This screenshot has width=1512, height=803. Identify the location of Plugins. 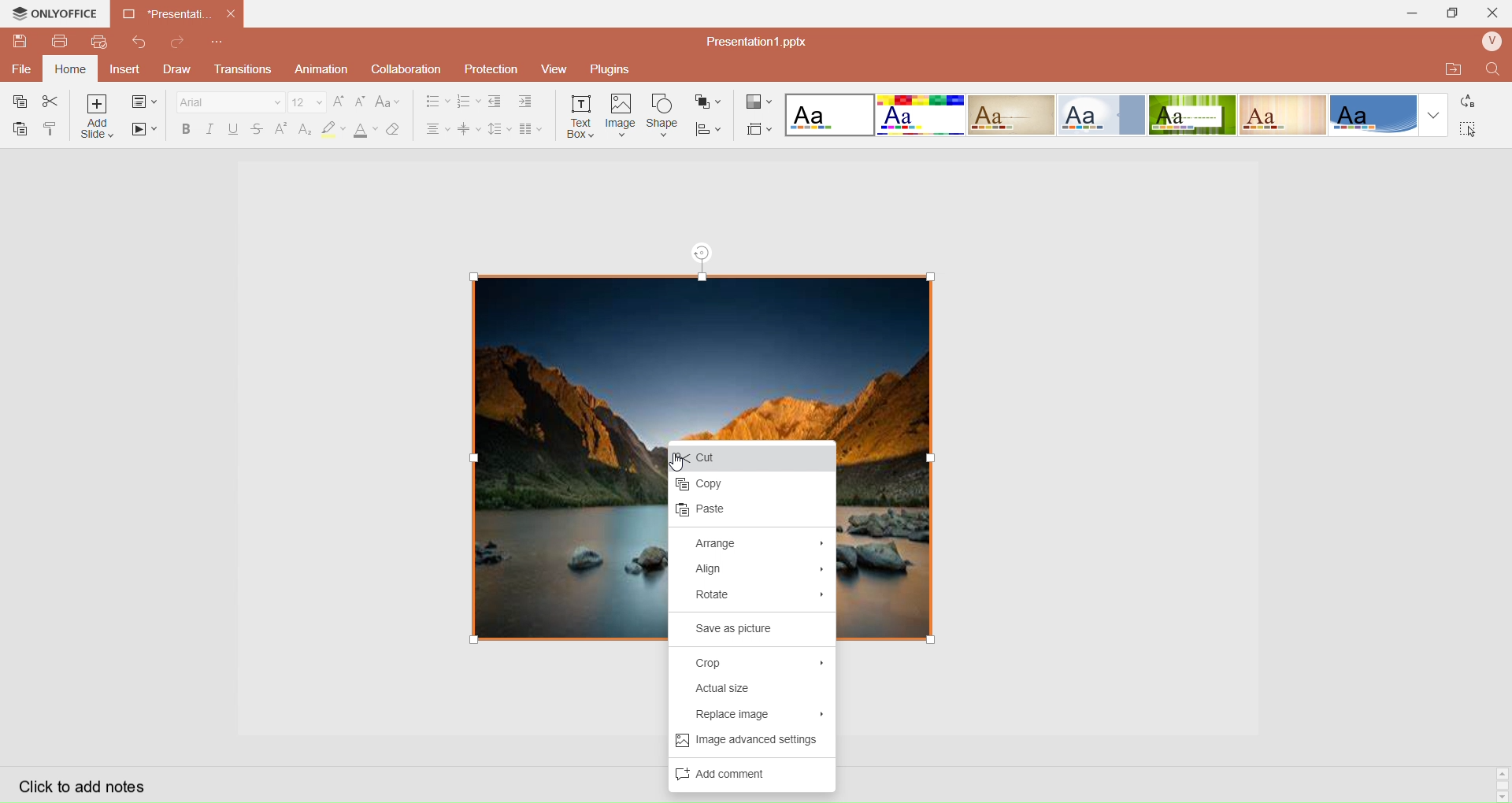
(613, 69).